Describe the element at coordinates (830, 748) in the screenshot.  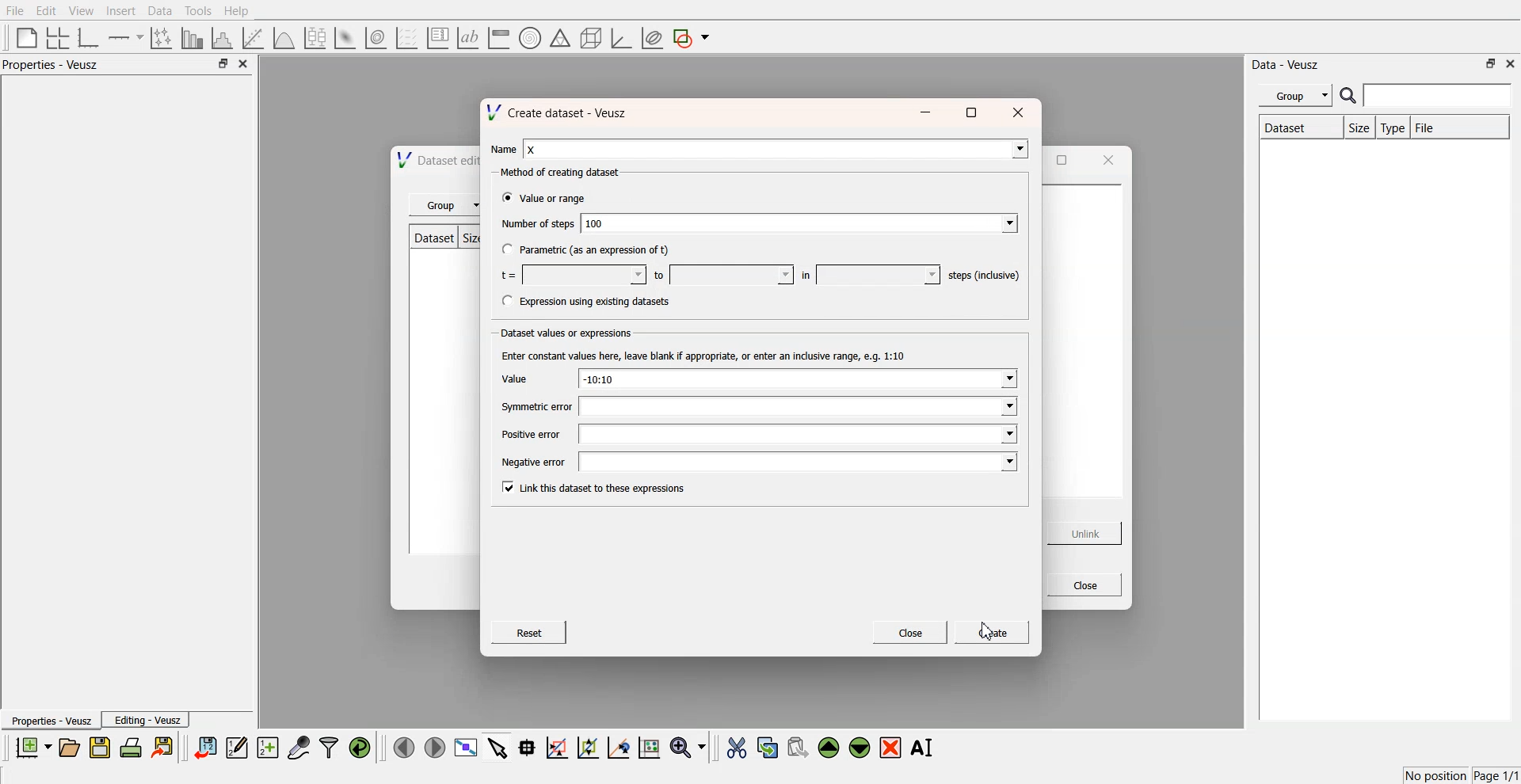
I see `move the selected widgets up` at that location.